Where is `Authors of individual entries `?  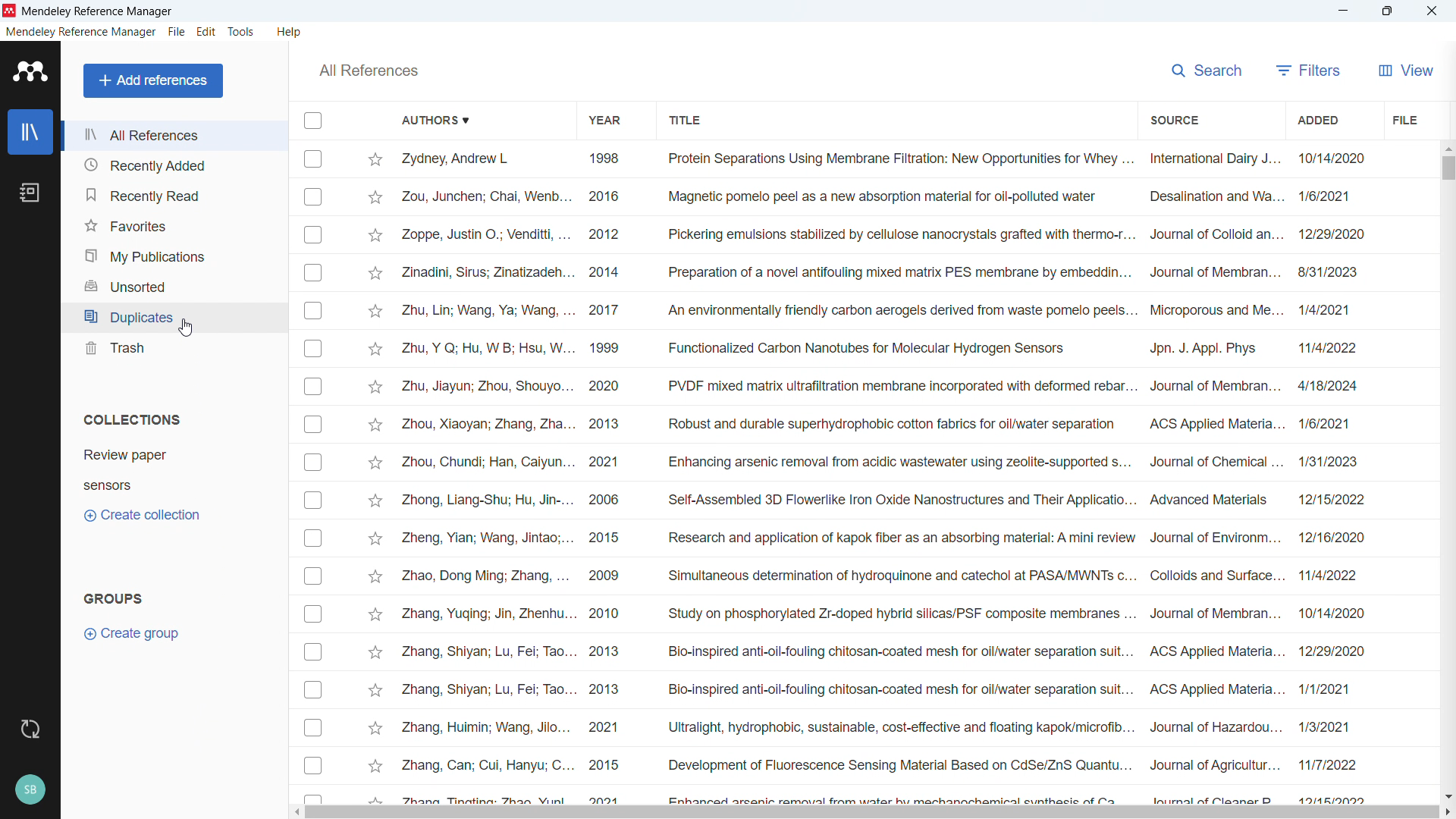
Authors of individual entries  is located at coordinates (487, 475).